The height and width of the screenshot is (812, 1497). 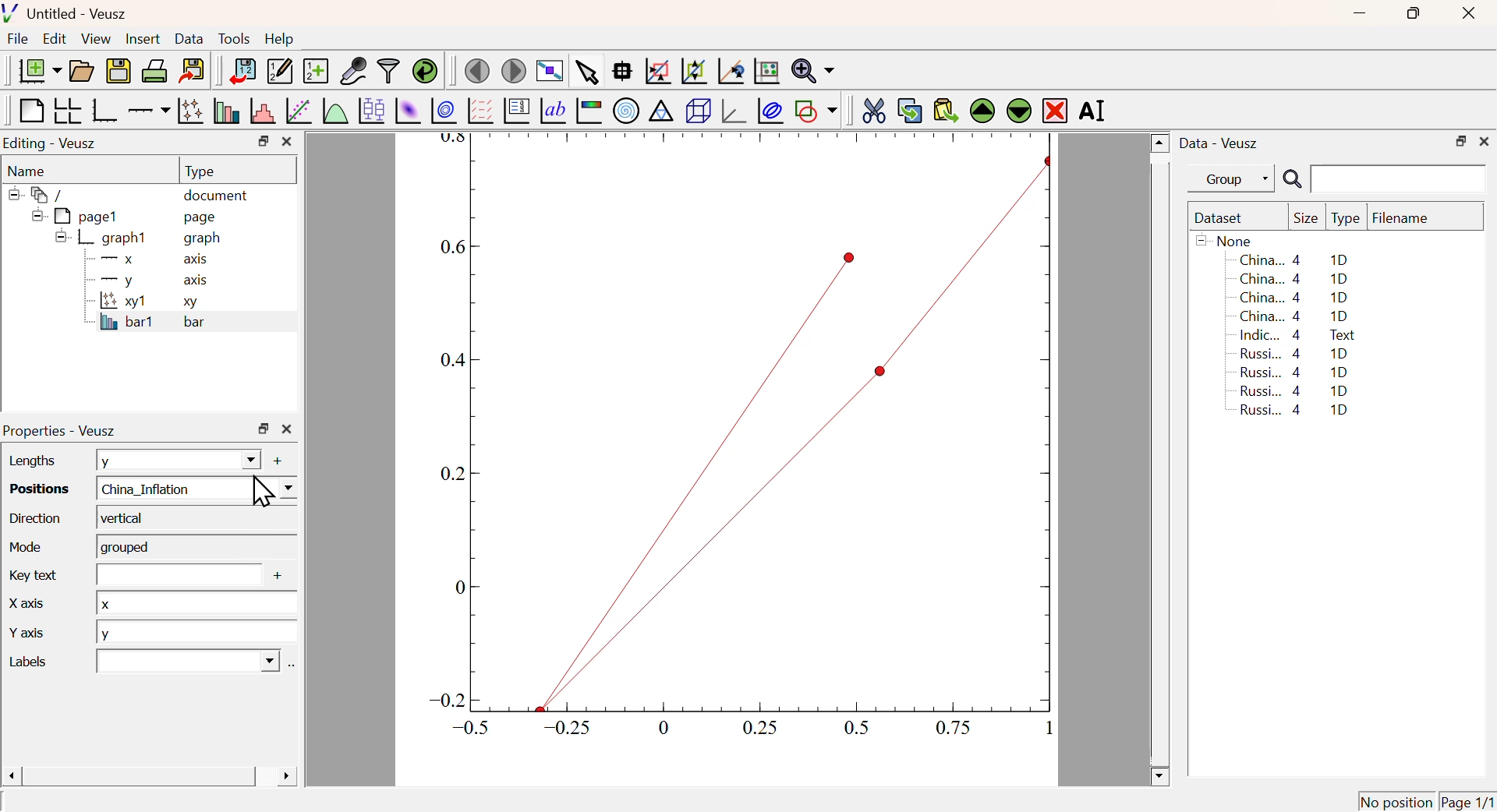 What do you see at coordinates (69, 15) in the screenshot?
I see `Untitled - Veusz` at bounding box center [69, 15].